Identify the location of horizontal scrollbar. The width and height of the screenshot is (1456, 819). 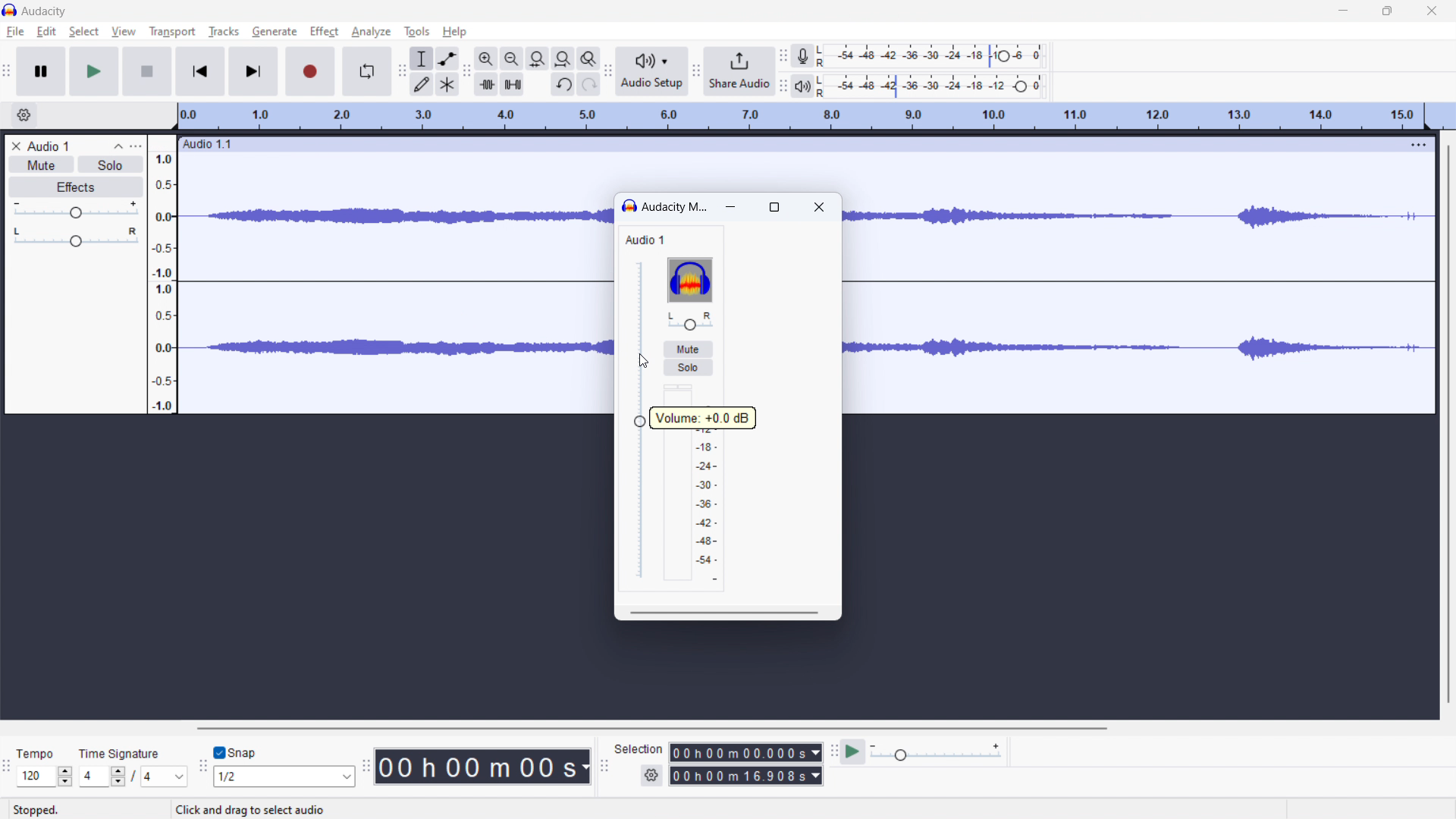
(655, 729).